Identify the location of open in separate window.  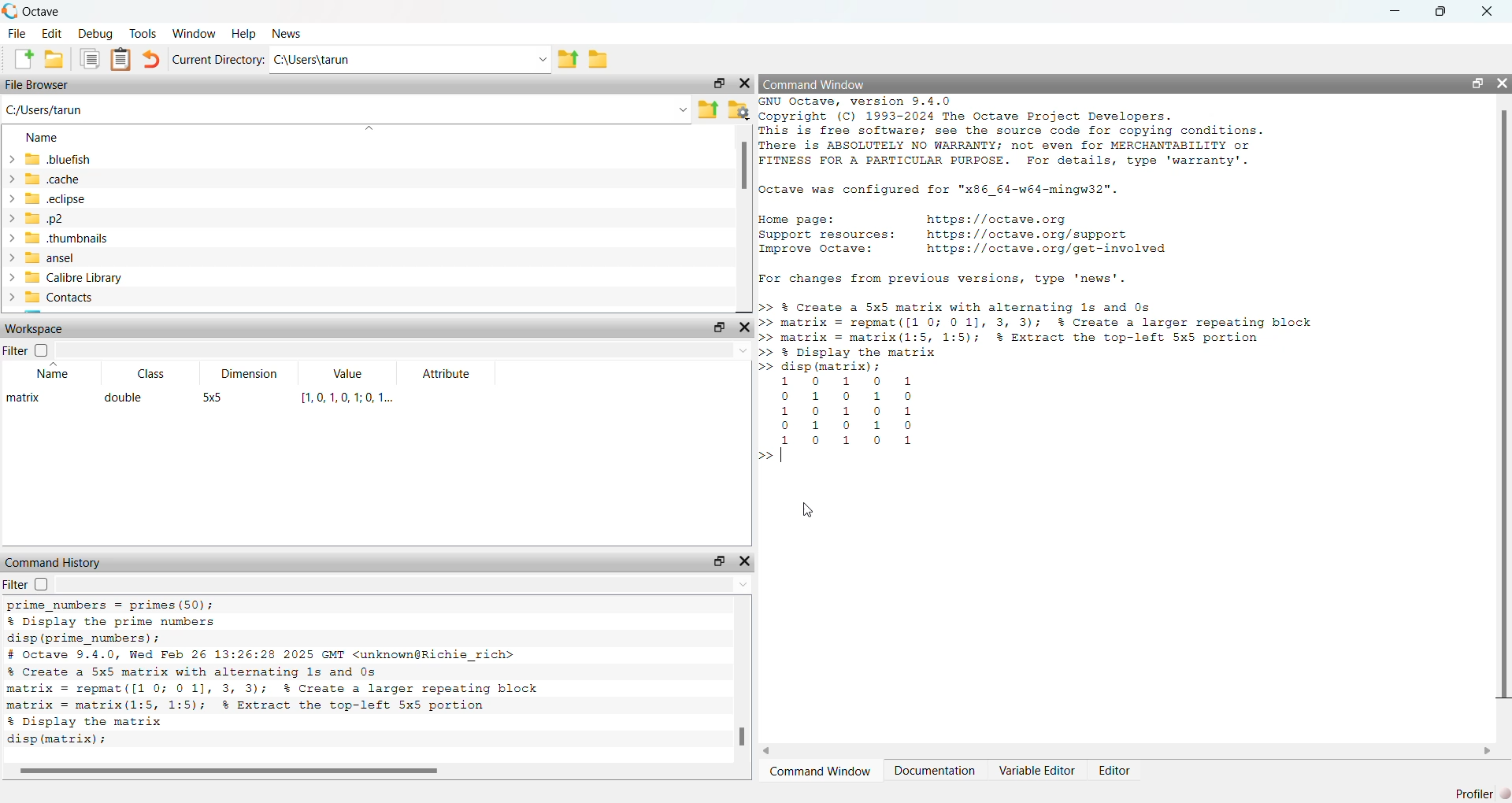
(717, 327).